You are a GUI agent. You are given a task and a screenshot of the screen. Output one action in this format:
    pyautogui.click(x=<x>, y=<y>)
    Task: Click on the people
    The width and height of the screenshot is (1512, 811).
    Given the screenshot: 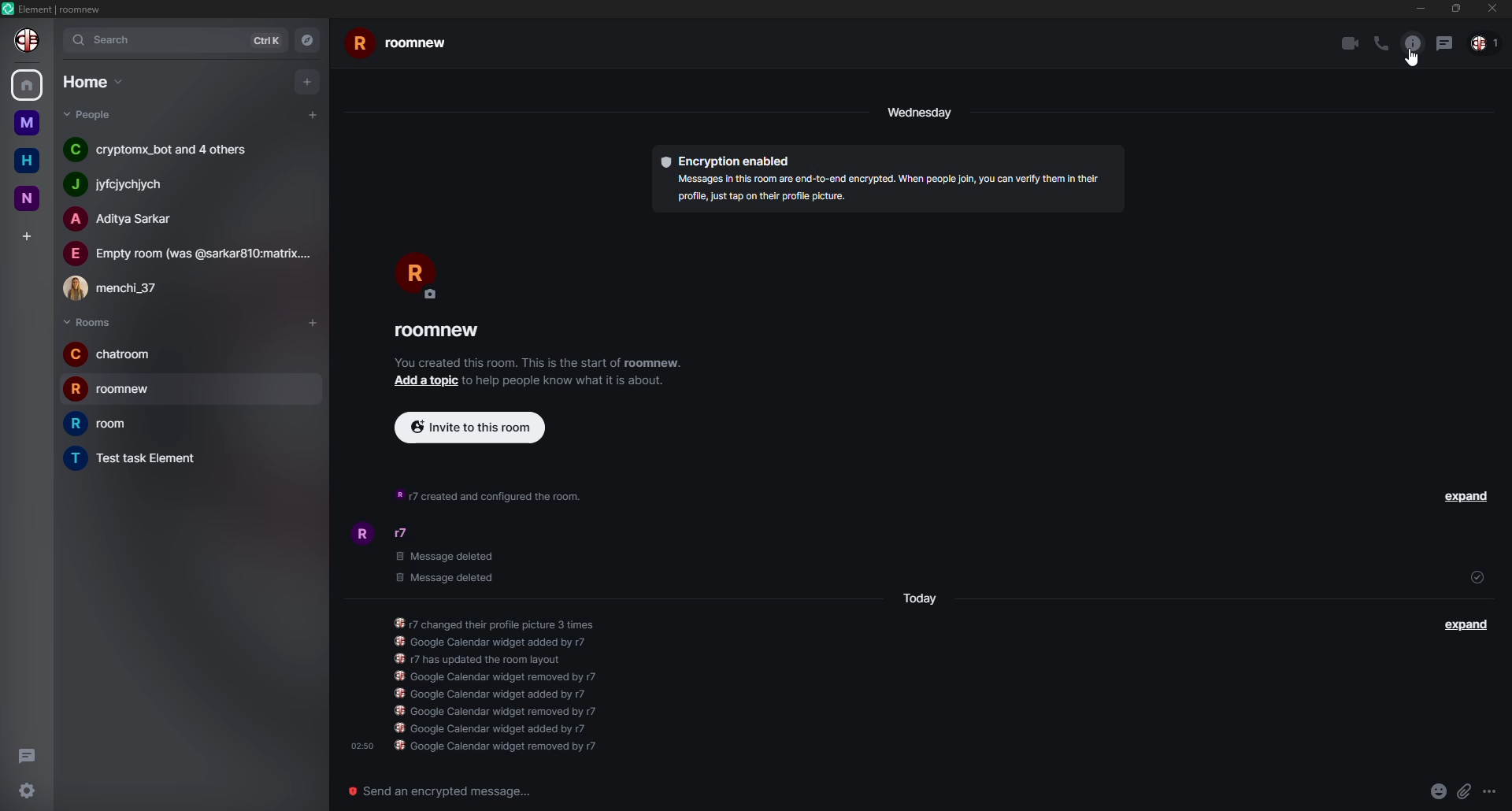 What is the action you would take?
    pyautogui.click(x=406, y=534)
    